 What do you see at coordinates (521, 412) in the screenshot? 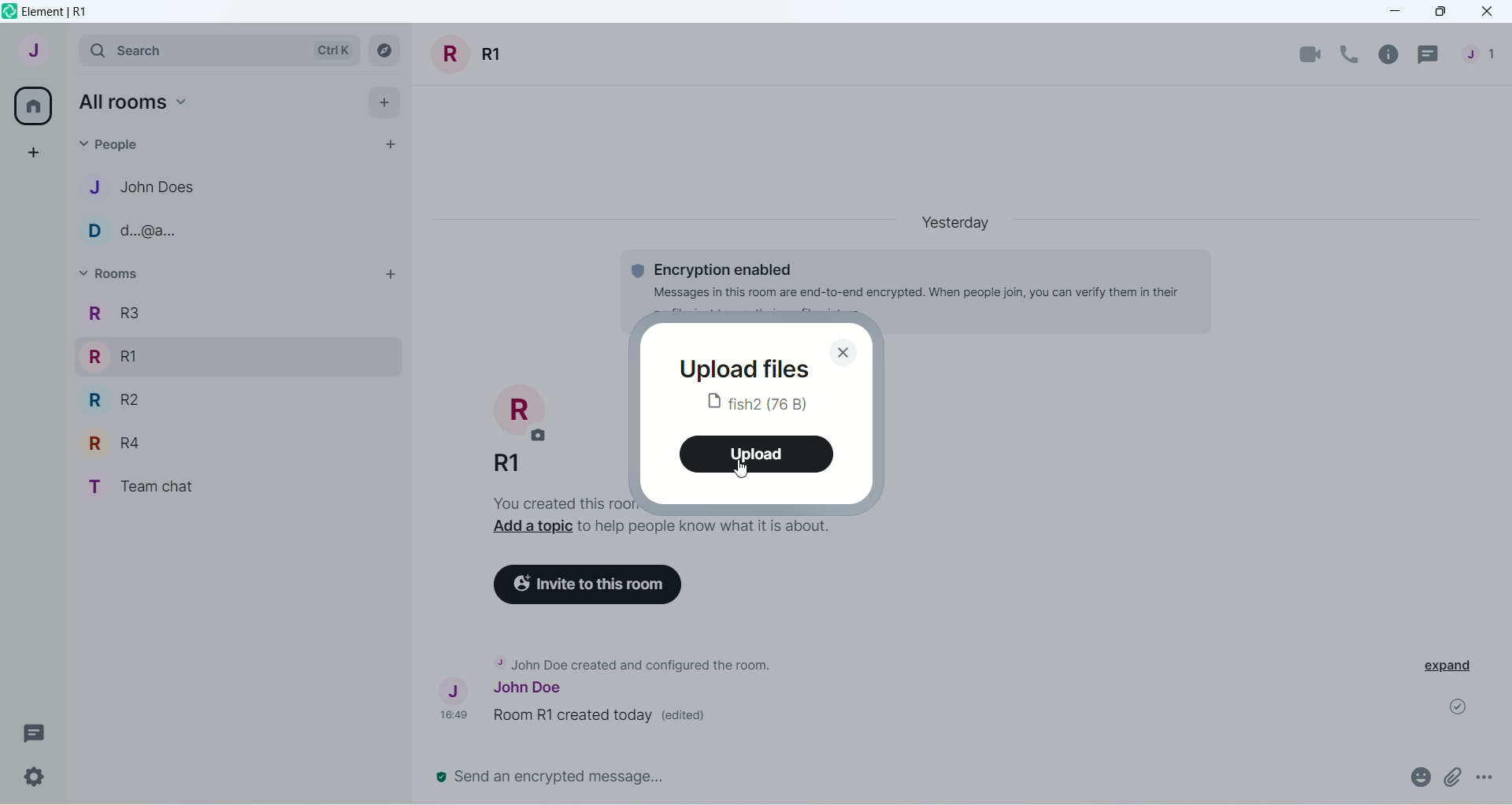
I see `room photo` at bounding box center [521, 412].